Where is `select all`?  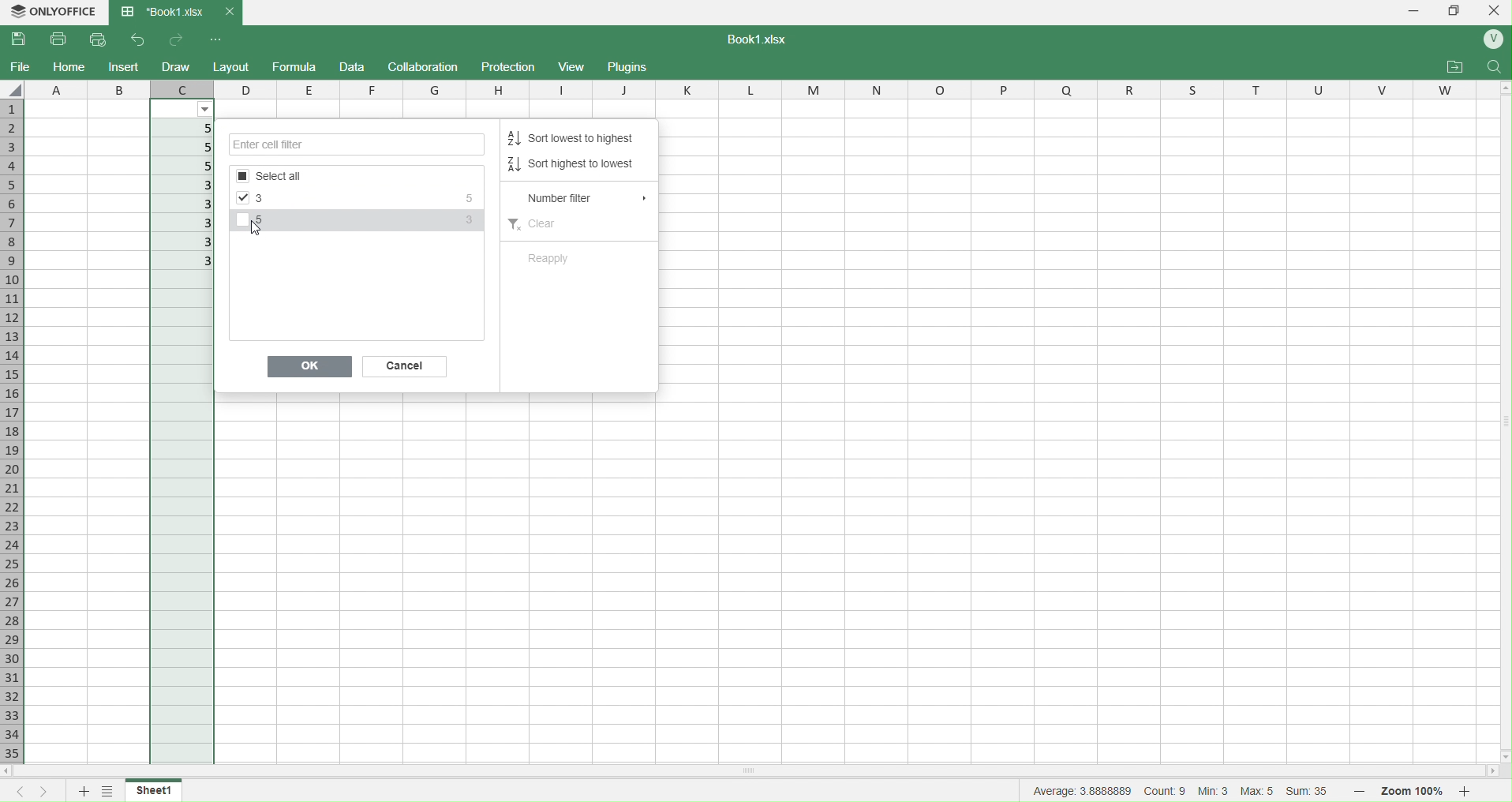
select all is located at coordinates (15, 89).